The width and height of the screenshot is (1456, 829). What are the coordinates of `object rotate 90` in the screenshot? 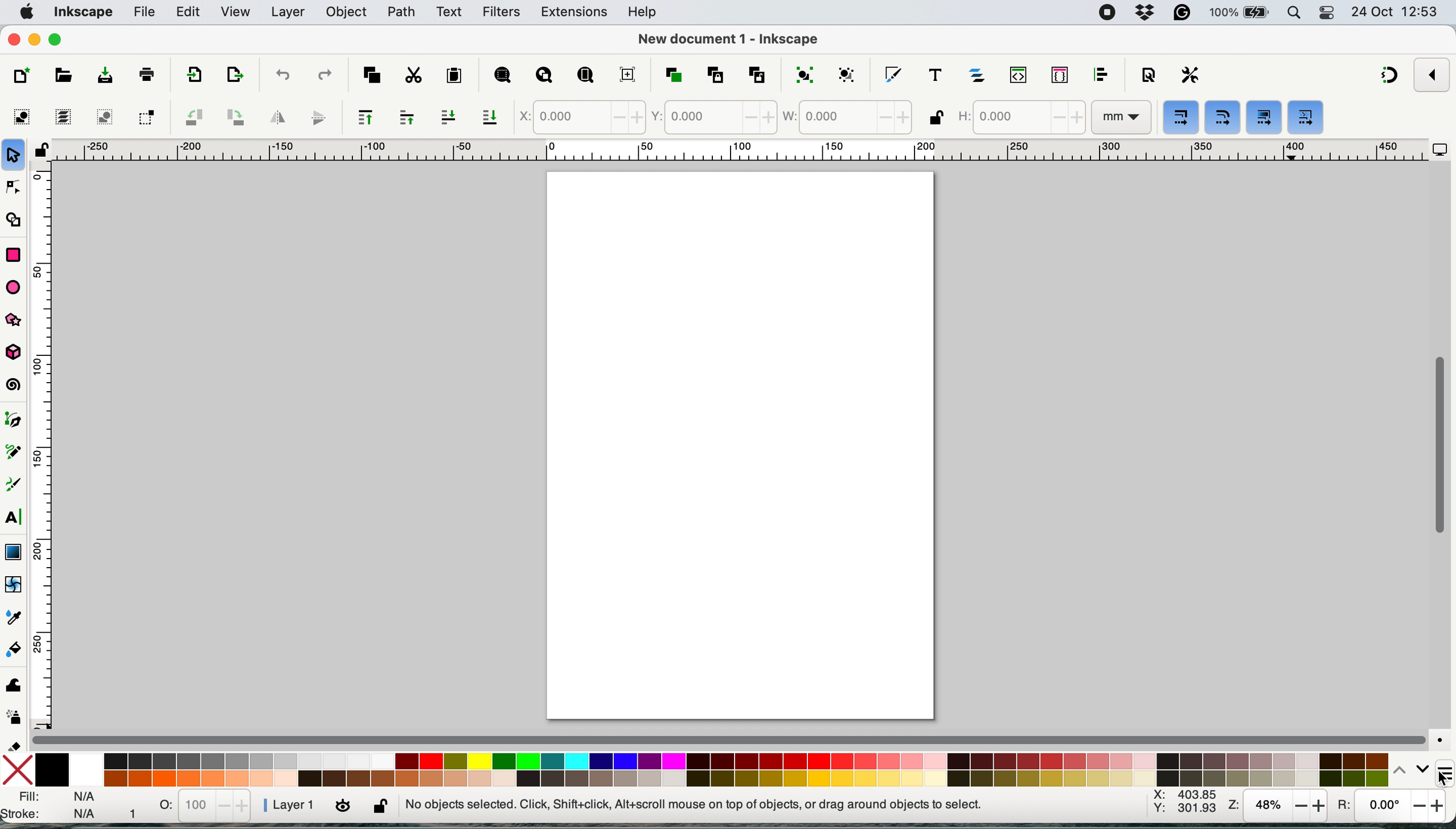 It's located at (236, 117).